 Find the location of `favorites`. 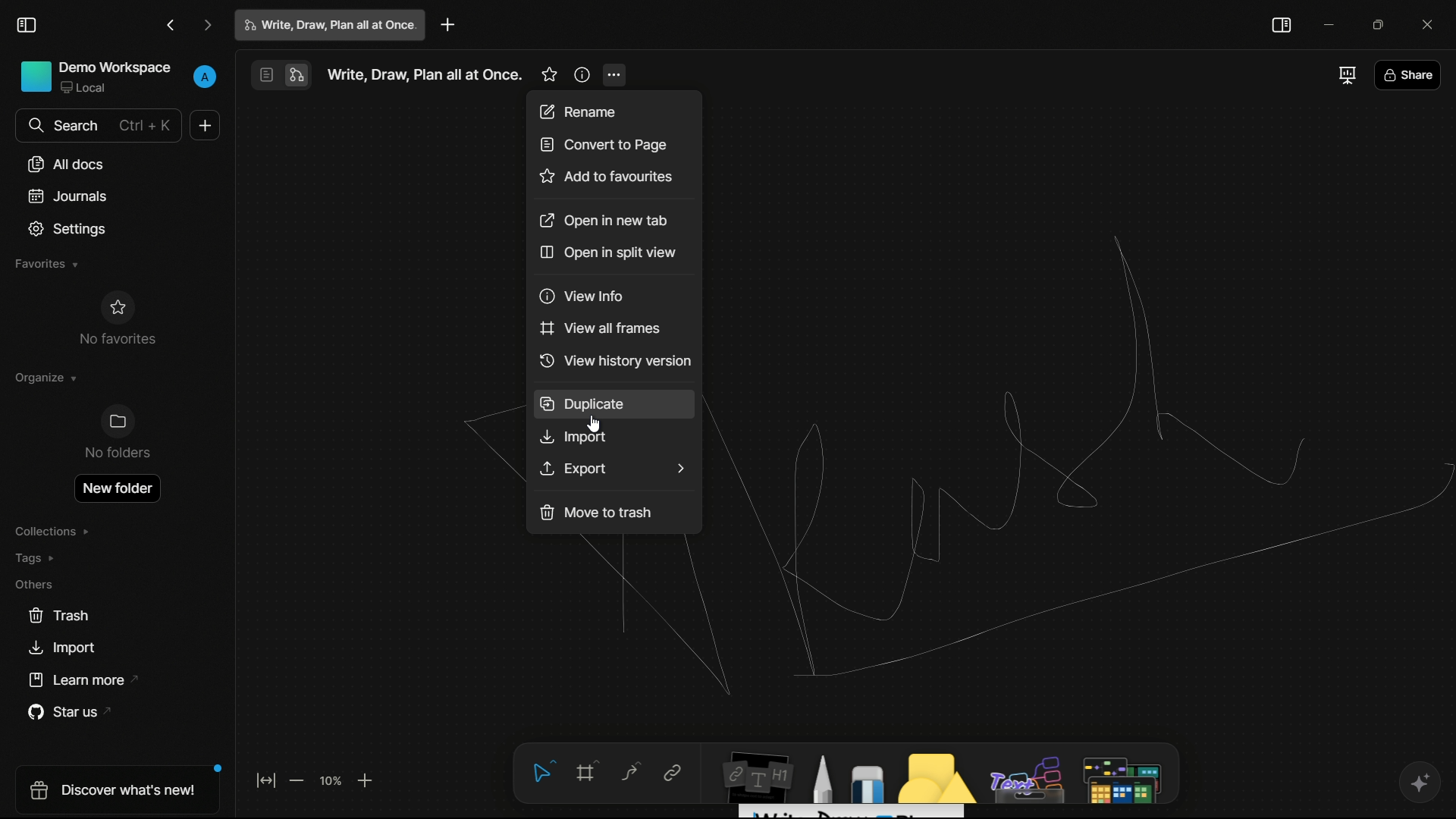

favorites is located at coordinates (44, 265).